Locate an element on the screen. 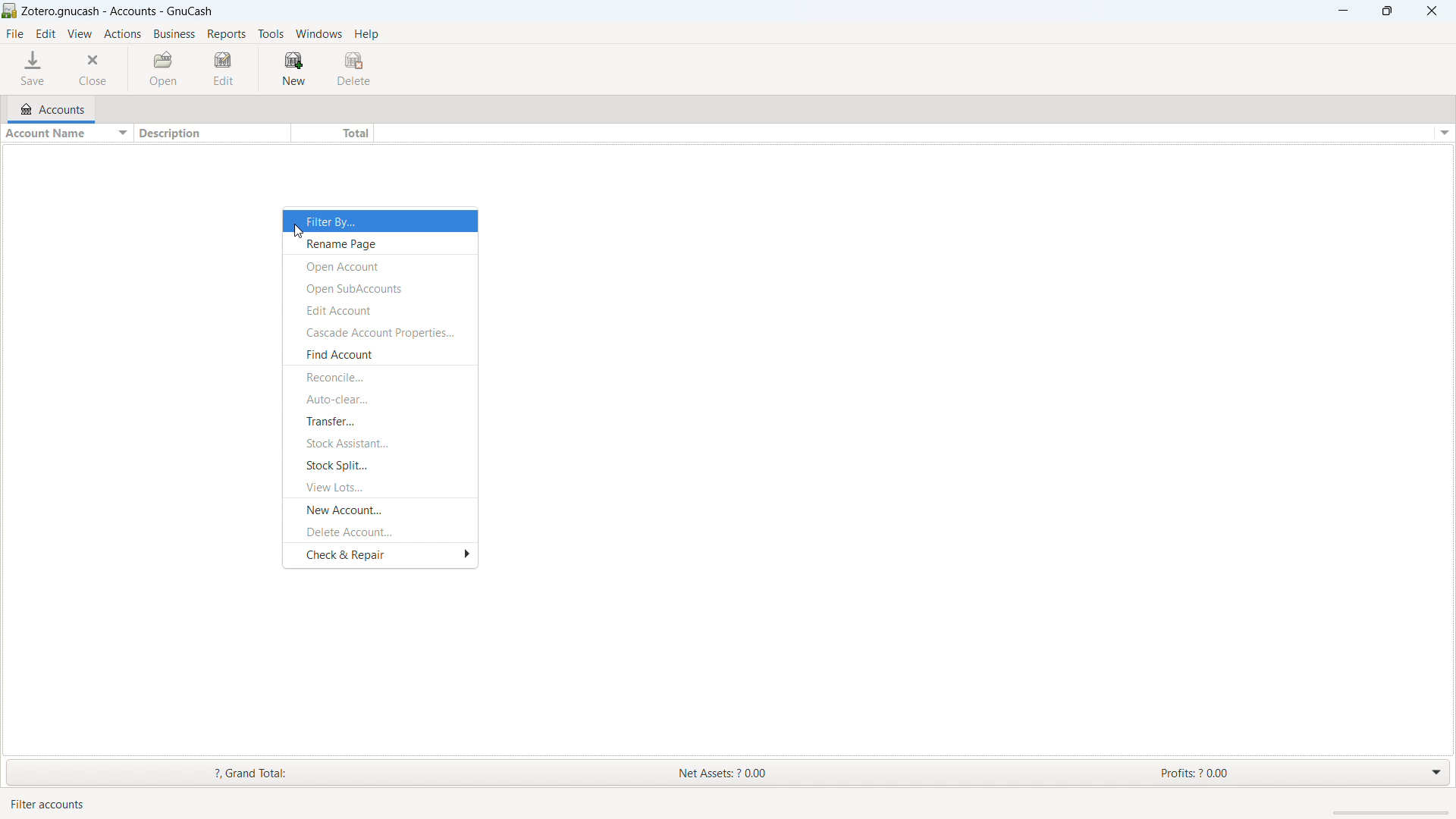 This screenshot has height=819, width=1456. file is located at coordinates (14, 34).